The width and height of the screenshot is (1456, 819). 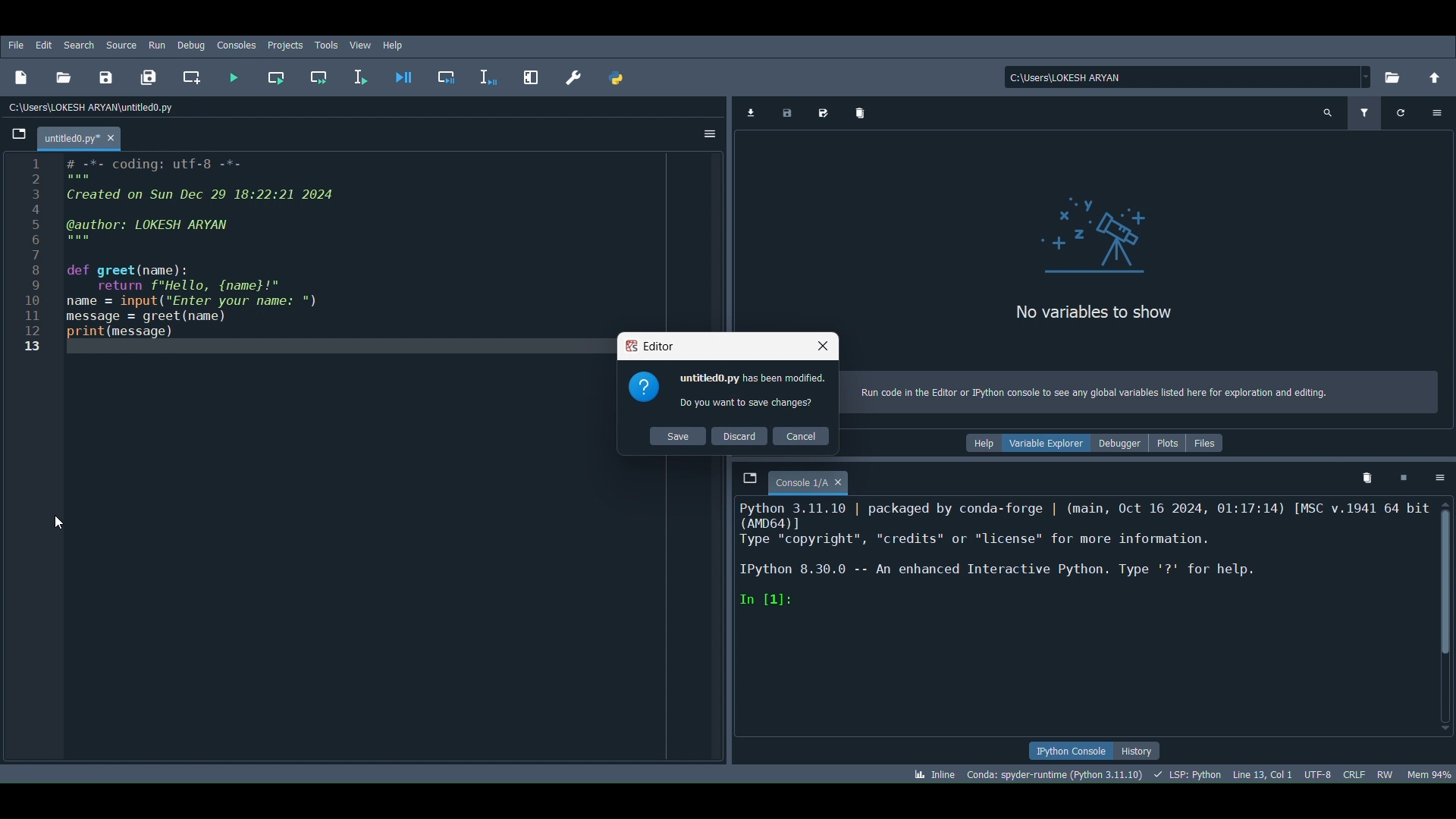 What do you see at coordinates (121, 45) in the screenshot?
I see `Source` at bounding box center [121, 45].